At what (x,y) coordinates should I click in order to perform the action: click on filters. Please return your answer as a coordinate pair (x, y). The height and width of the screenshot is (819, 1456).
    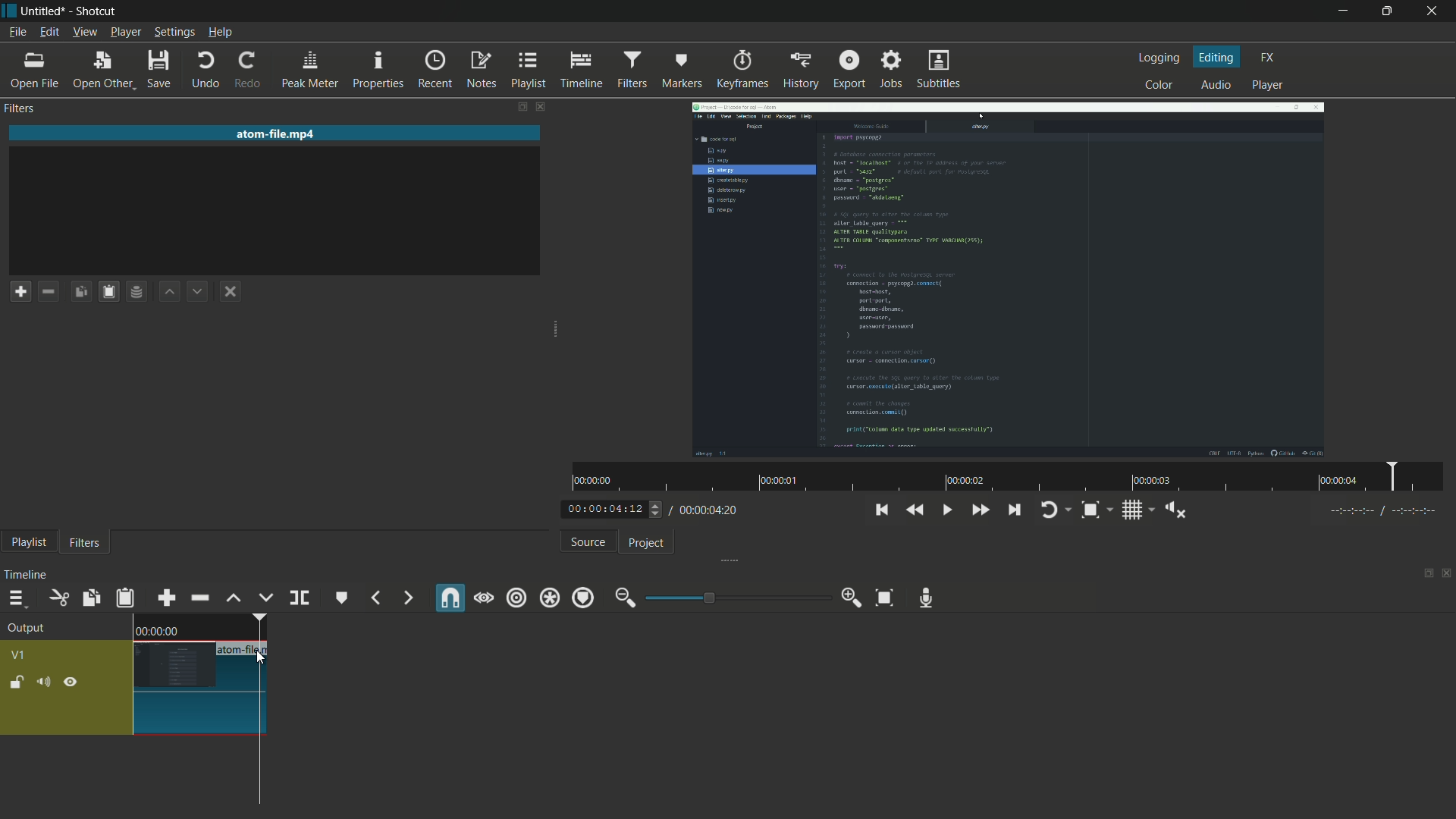
    Looking at the image, I should click on (84, 544).